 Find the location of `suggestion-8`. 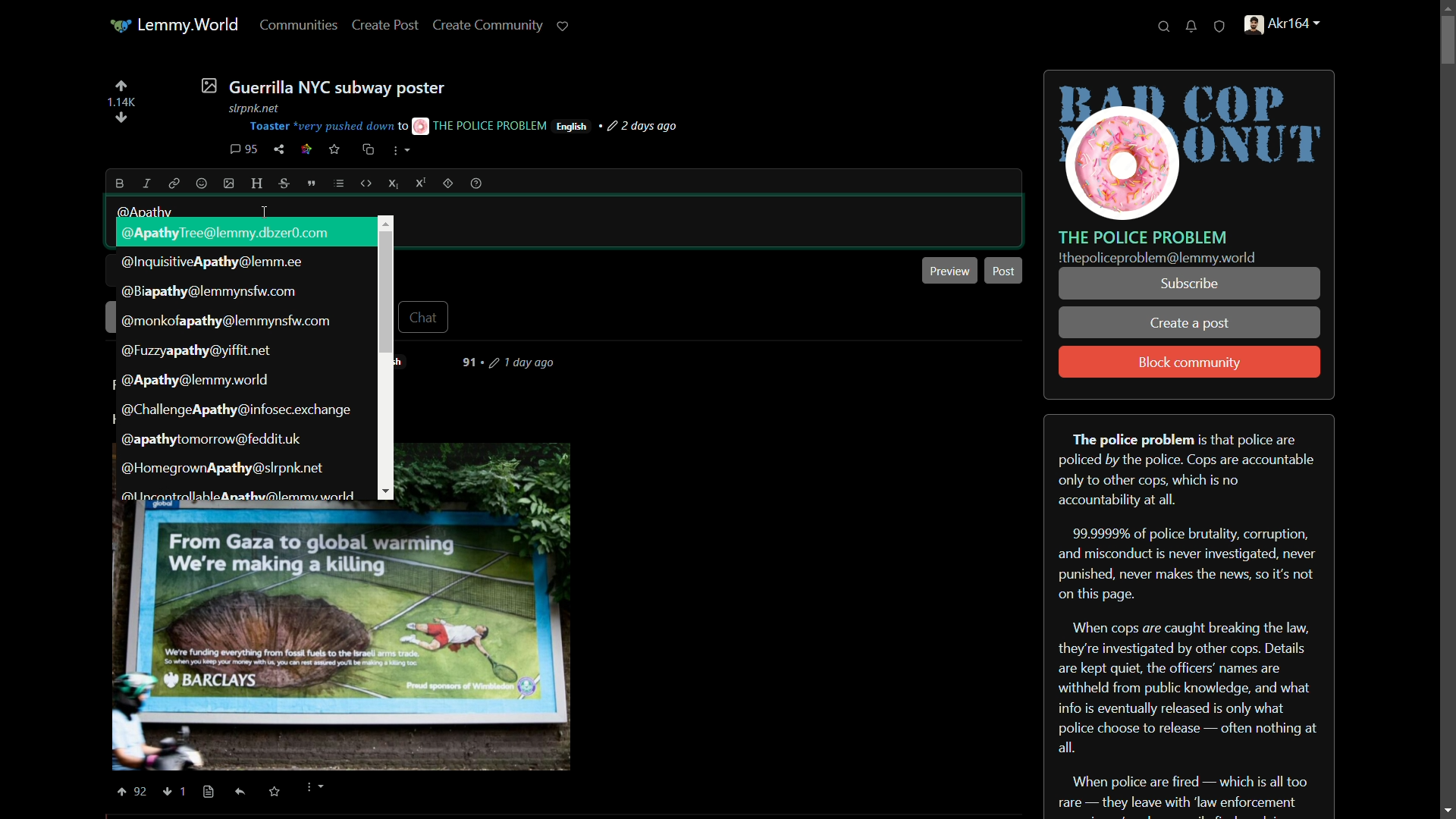

suggestion-8 is located at coordinates (211, 441).